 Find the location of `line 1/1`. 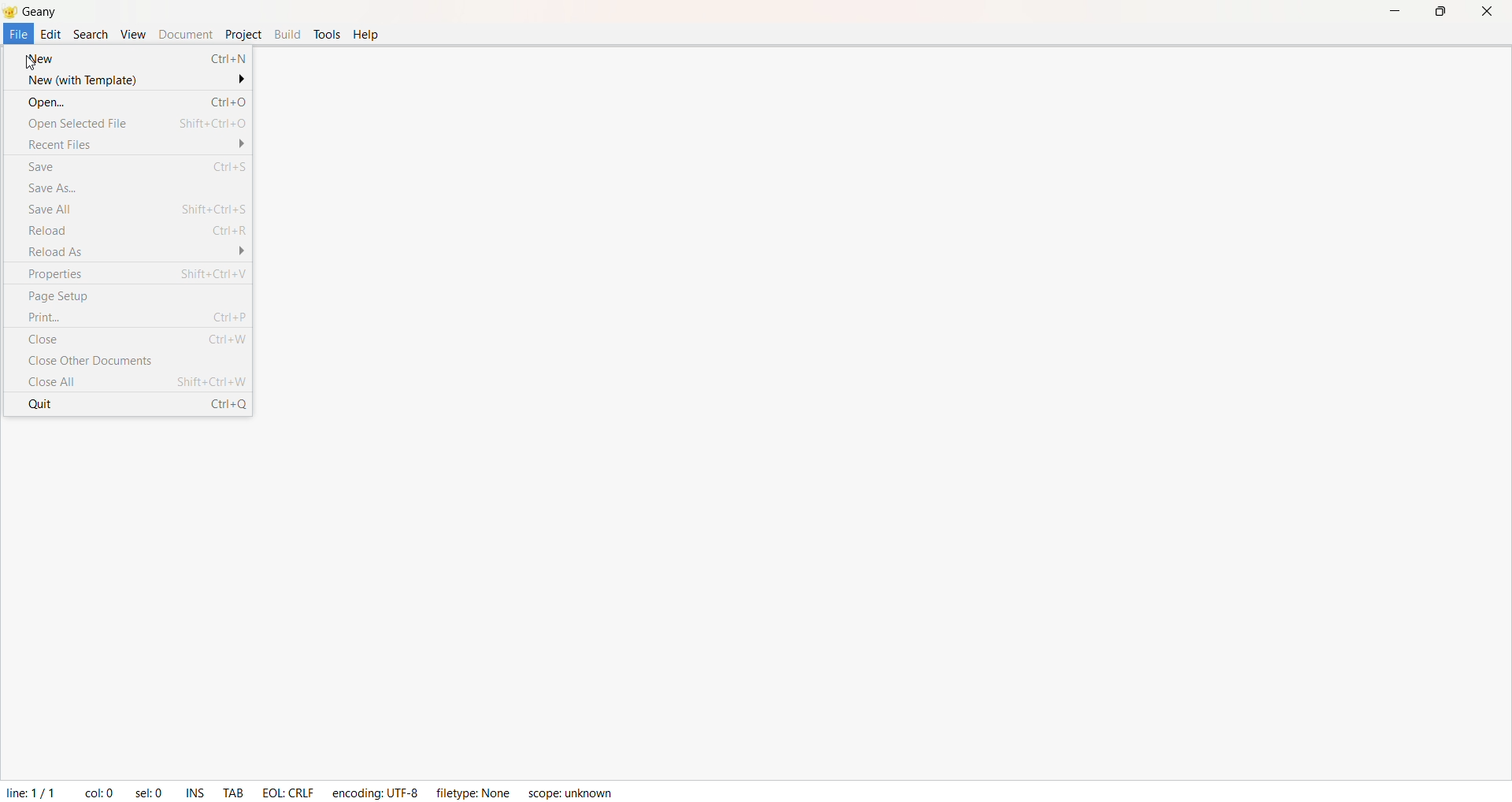

line 1/1 is located at coordinates (28, 786).